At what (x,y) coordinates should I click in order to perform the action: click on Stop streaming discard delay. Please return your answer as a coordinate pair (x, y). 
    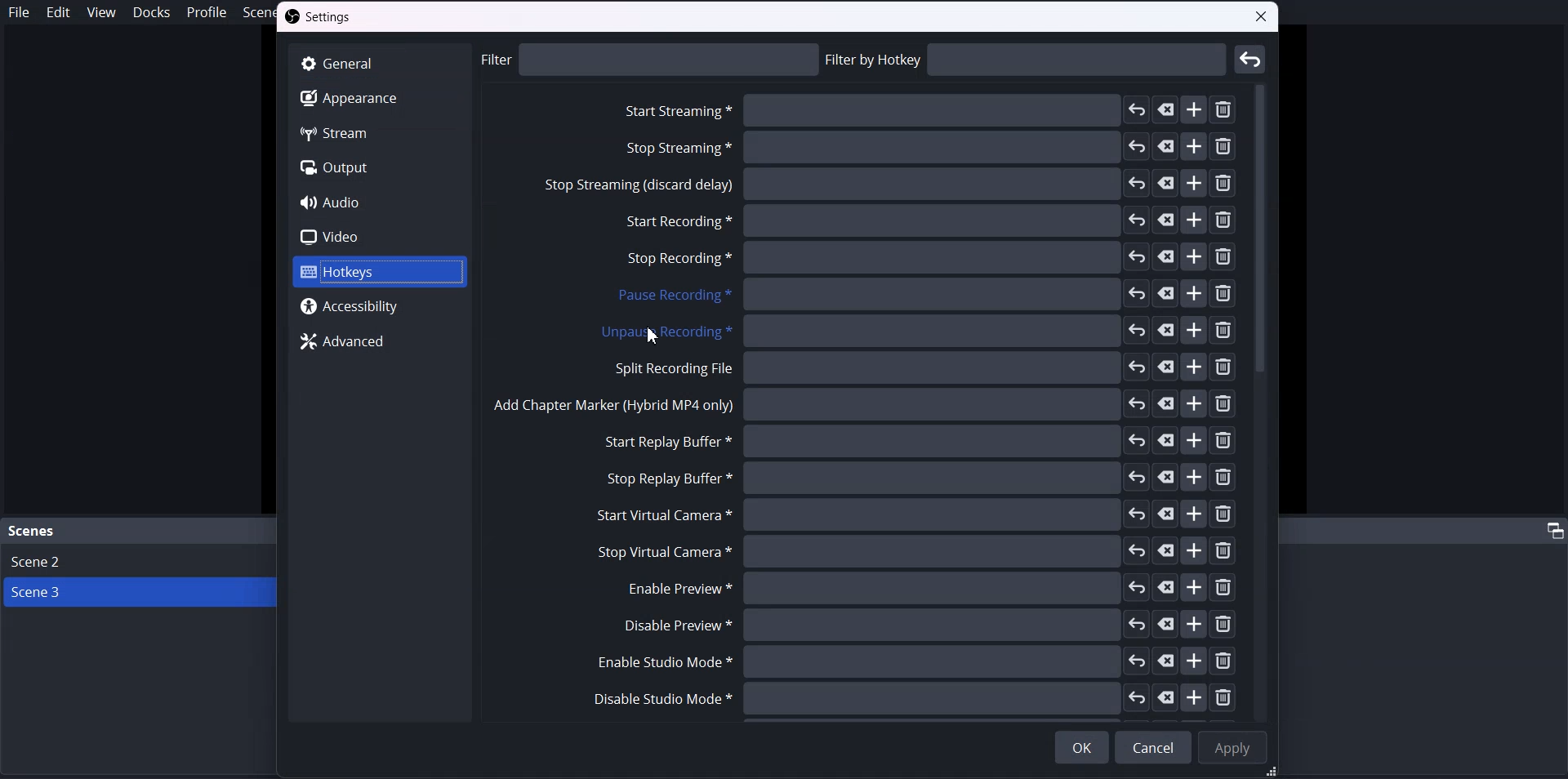
    Looking at the image, I should click on (885, 184).